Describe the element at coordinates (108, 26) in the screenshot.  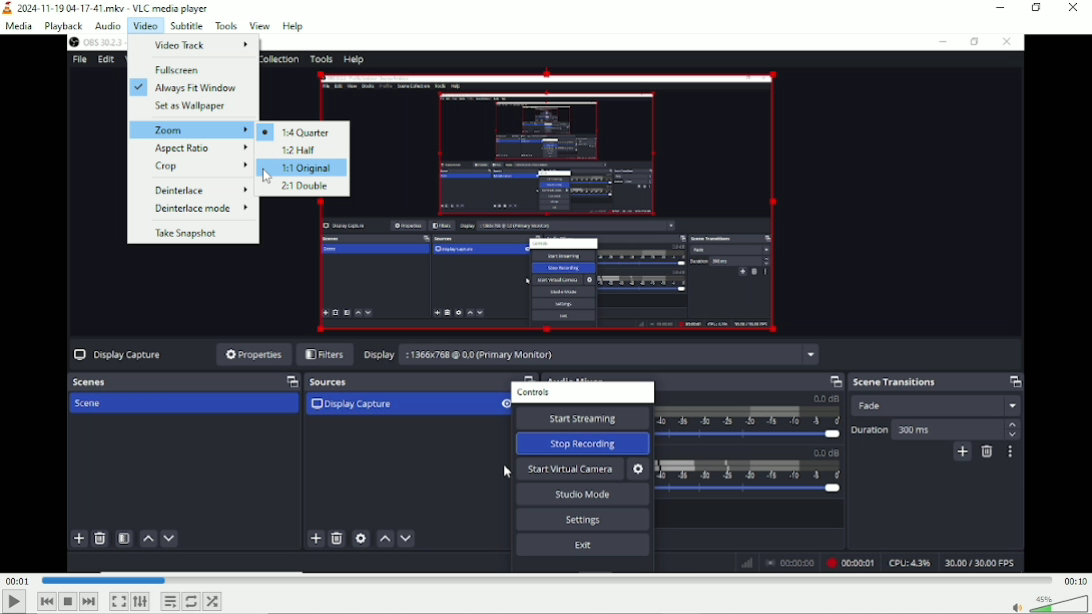
I see `audio` at that location.